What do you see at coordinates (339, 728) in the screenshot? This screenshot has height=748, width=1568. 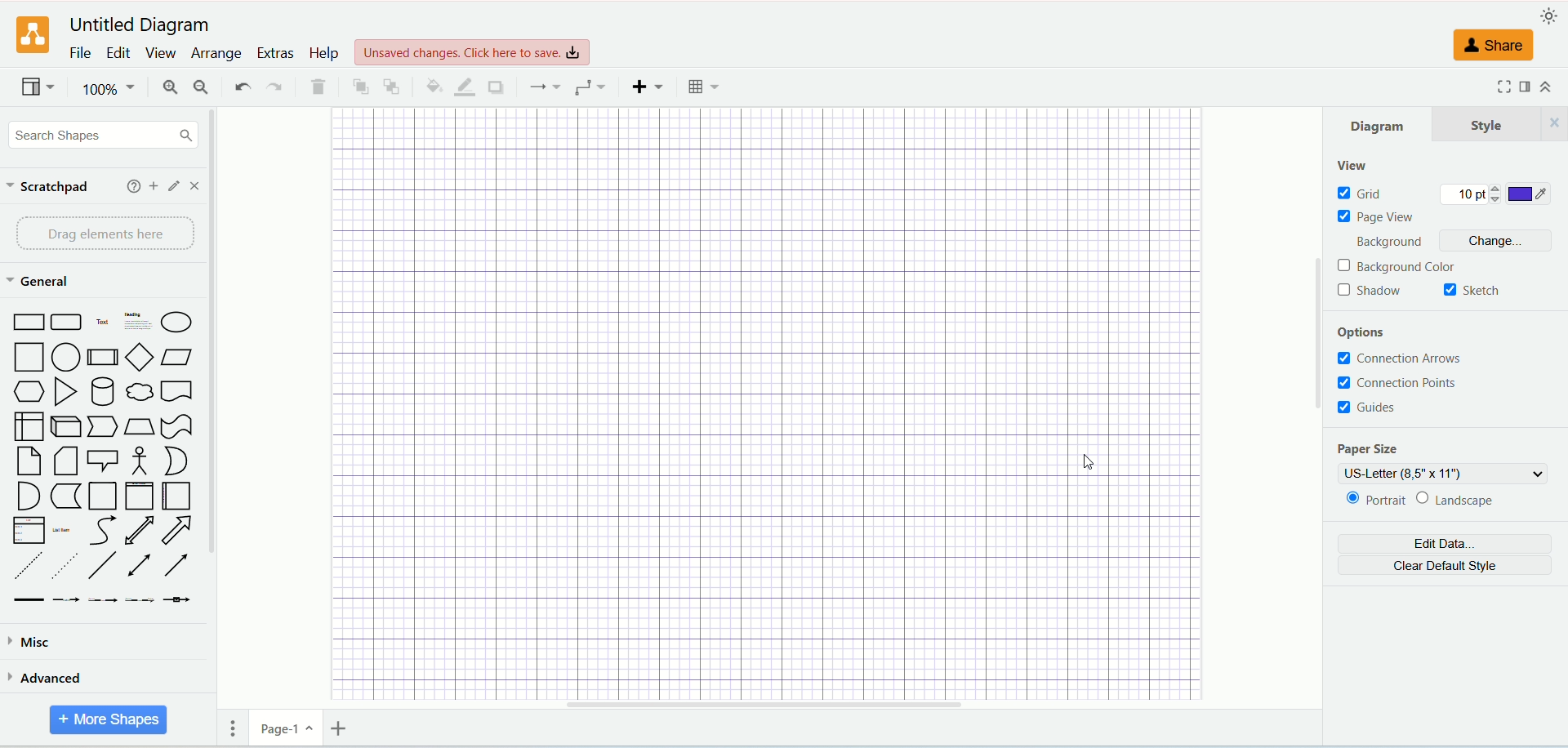 I see `insert page` at bounding box center [339, 728].